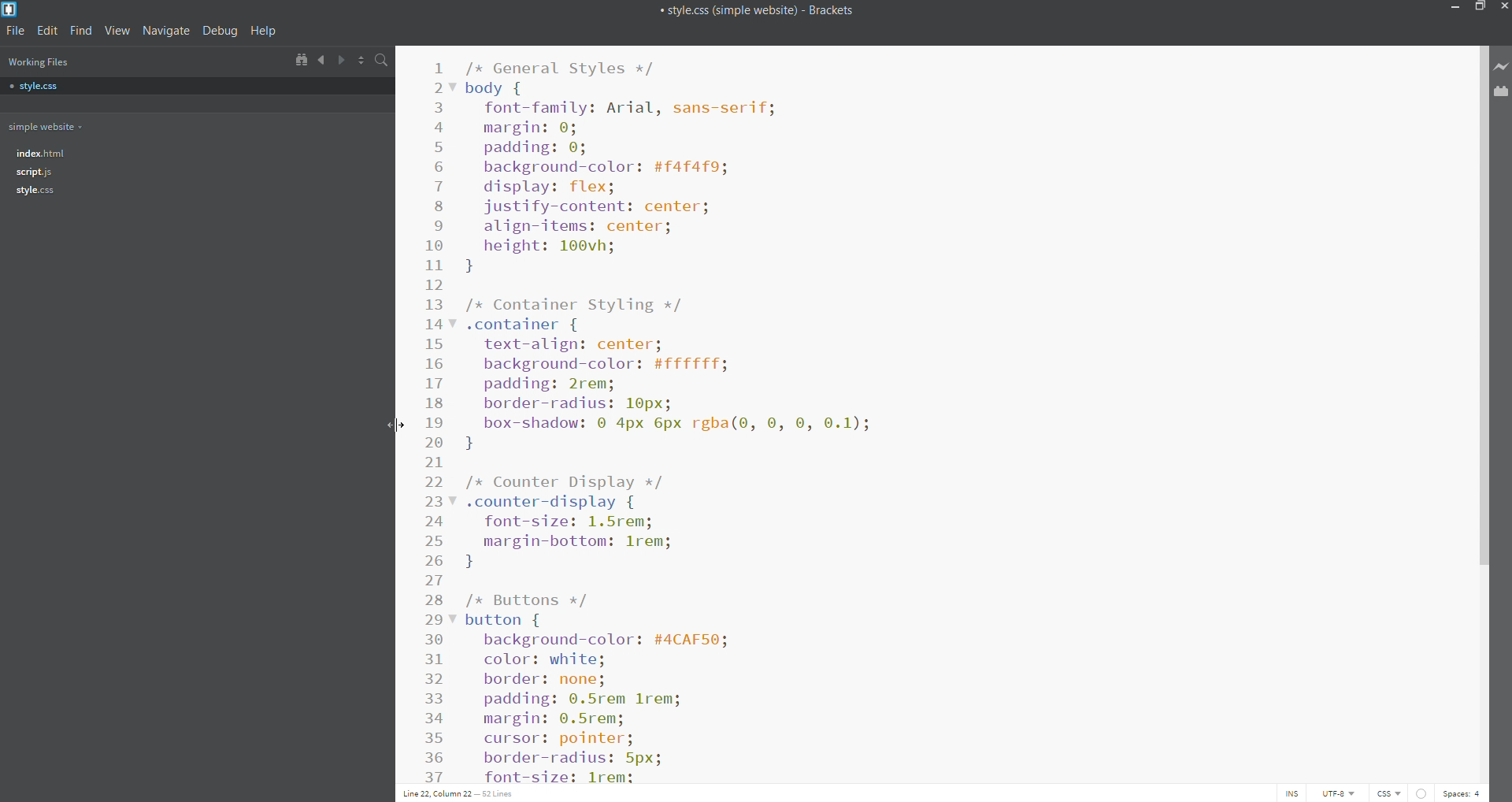  Describe the element at coordinates (756, 9) in the screenshot. I see `title bar of brackets` at that location.